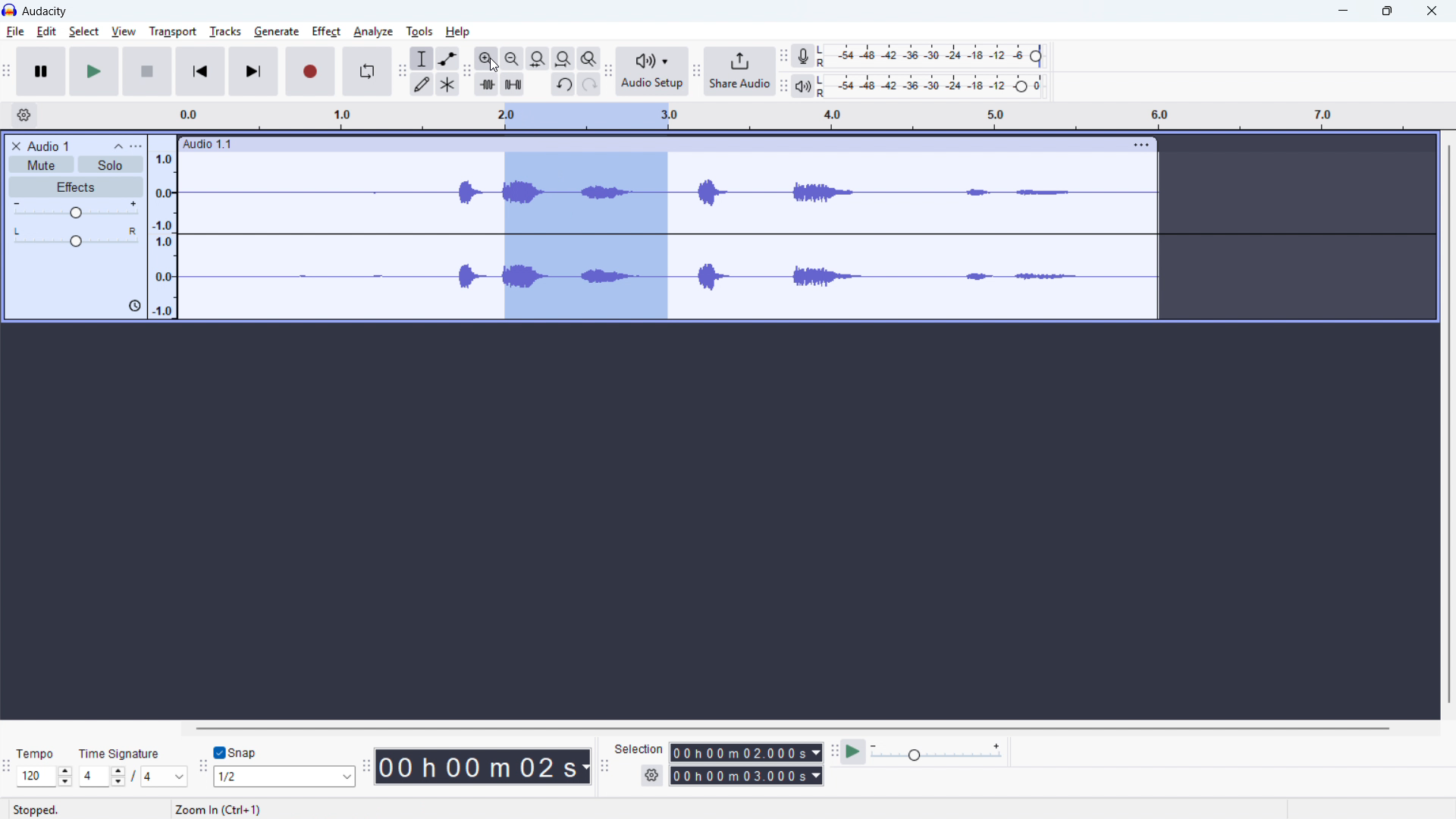  Describe the element at coordinates (133, 777) in the screenshot. I see `Set time signature` at that location.